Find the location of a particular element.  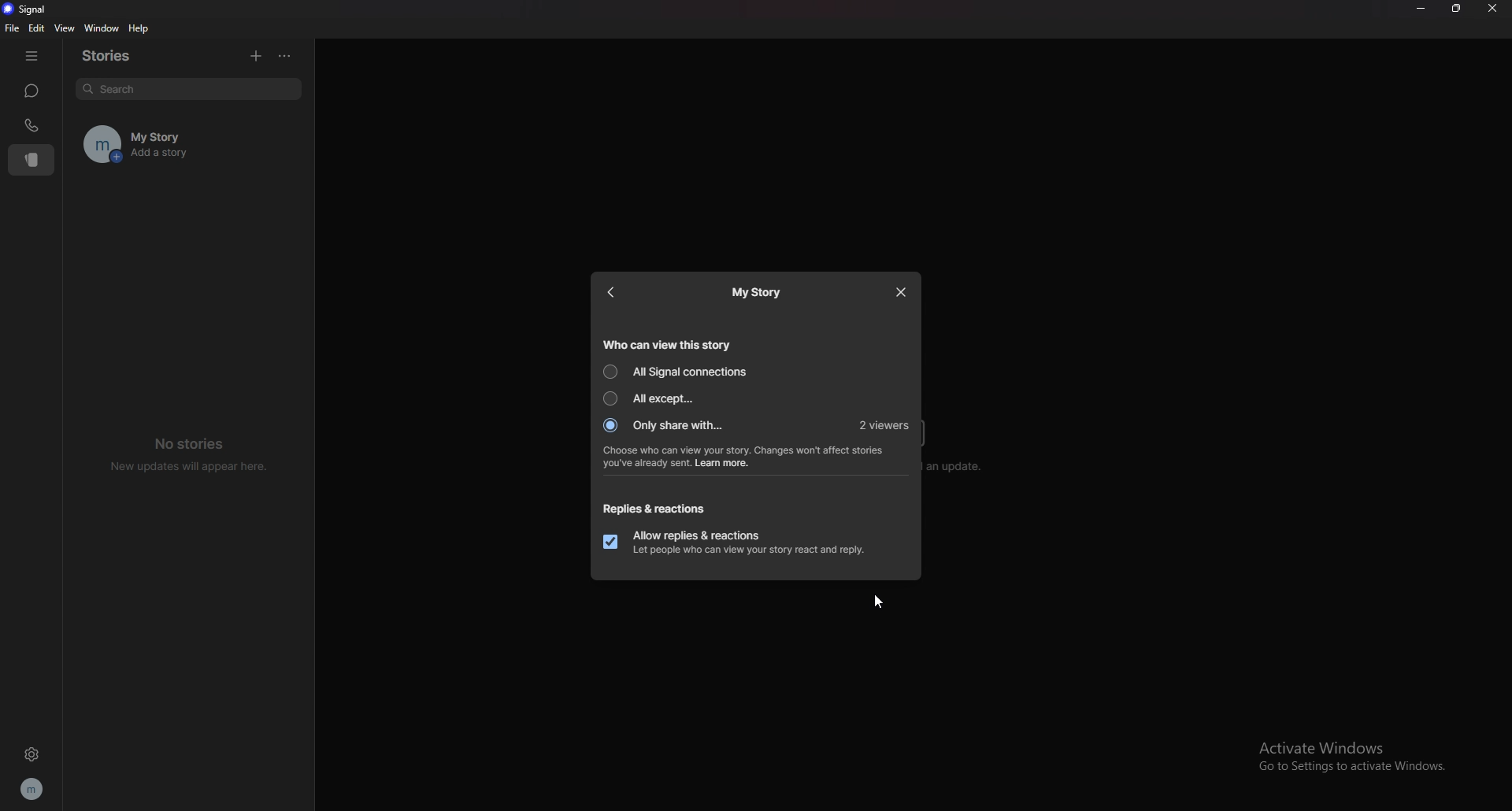

add story is located at coordinates (252, 54).